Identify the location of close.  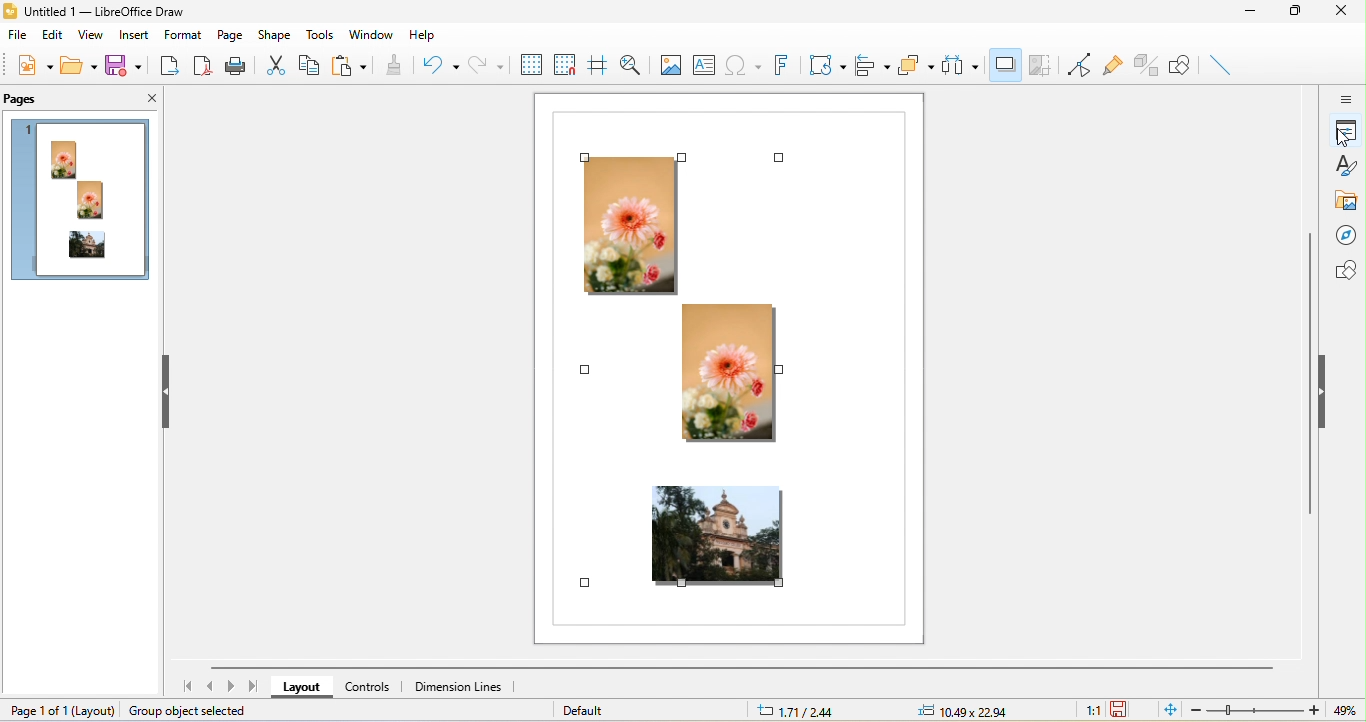
(1347, 12).